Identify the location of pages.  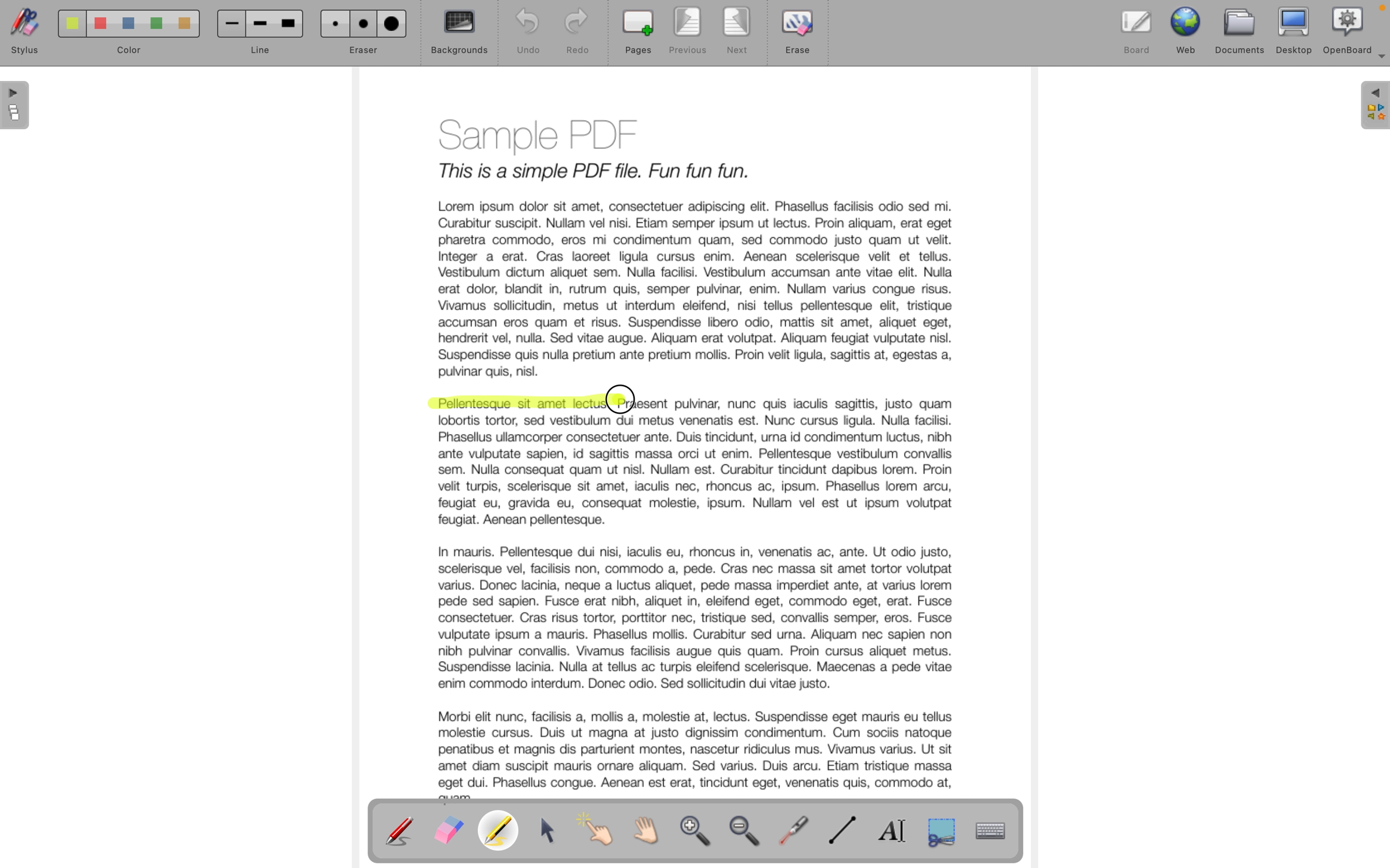
(17, 107).